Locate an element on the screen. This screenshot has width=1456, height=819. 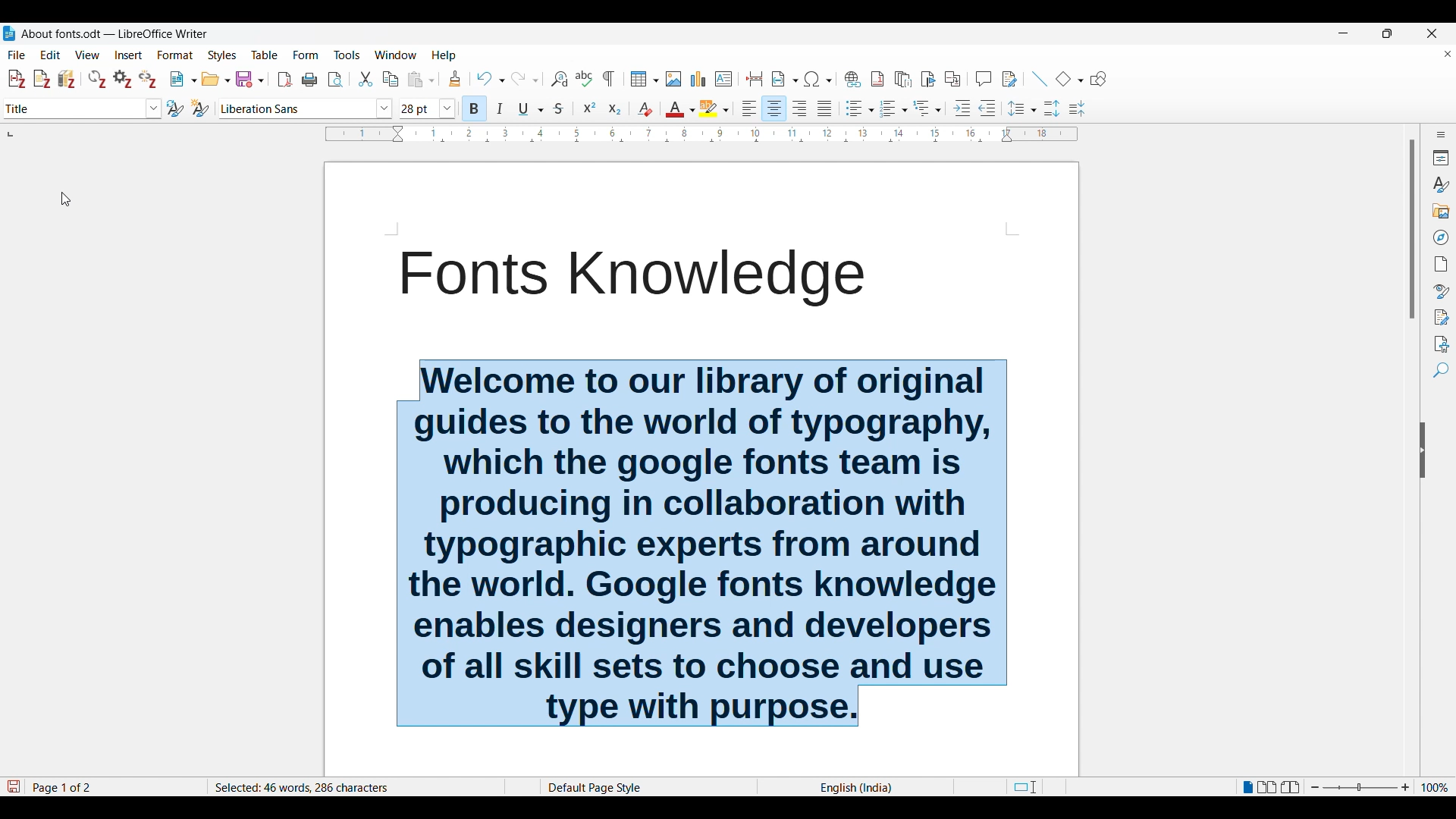
Find is located at coordinates (1442, 370).